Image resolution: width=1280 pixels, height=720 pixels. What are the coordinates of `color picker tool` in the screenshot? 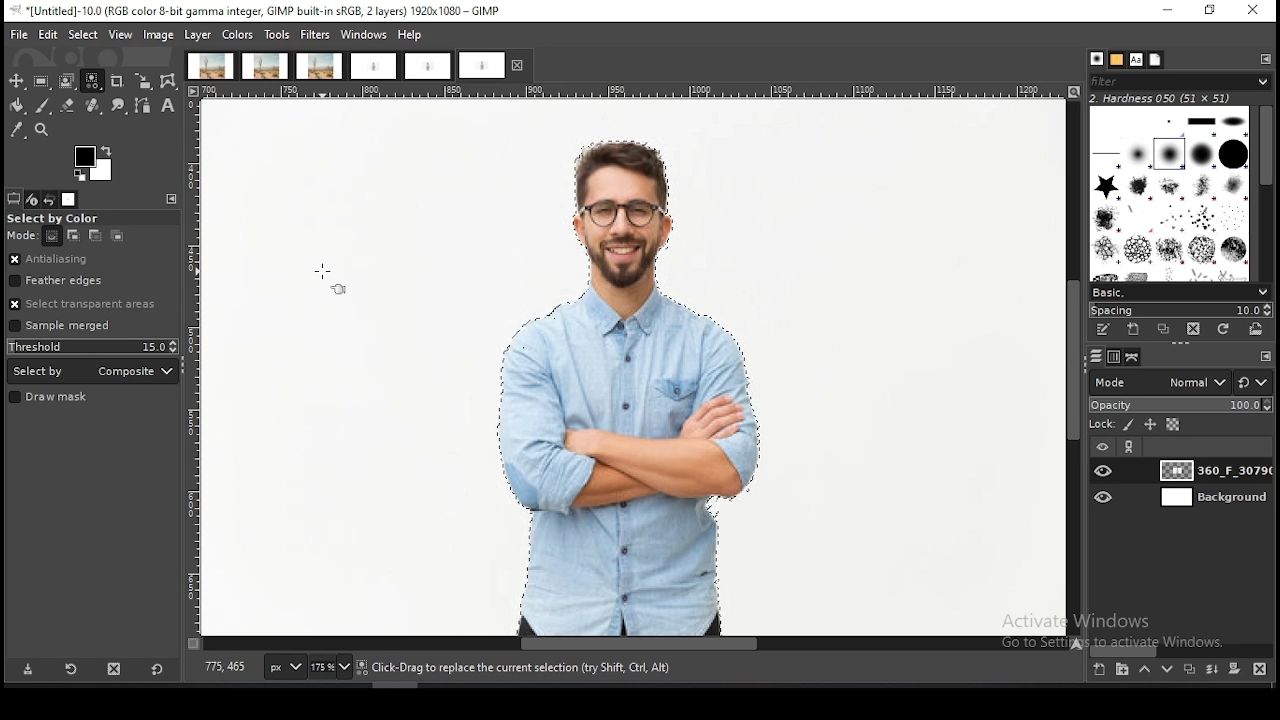 It's located at (16, 130).